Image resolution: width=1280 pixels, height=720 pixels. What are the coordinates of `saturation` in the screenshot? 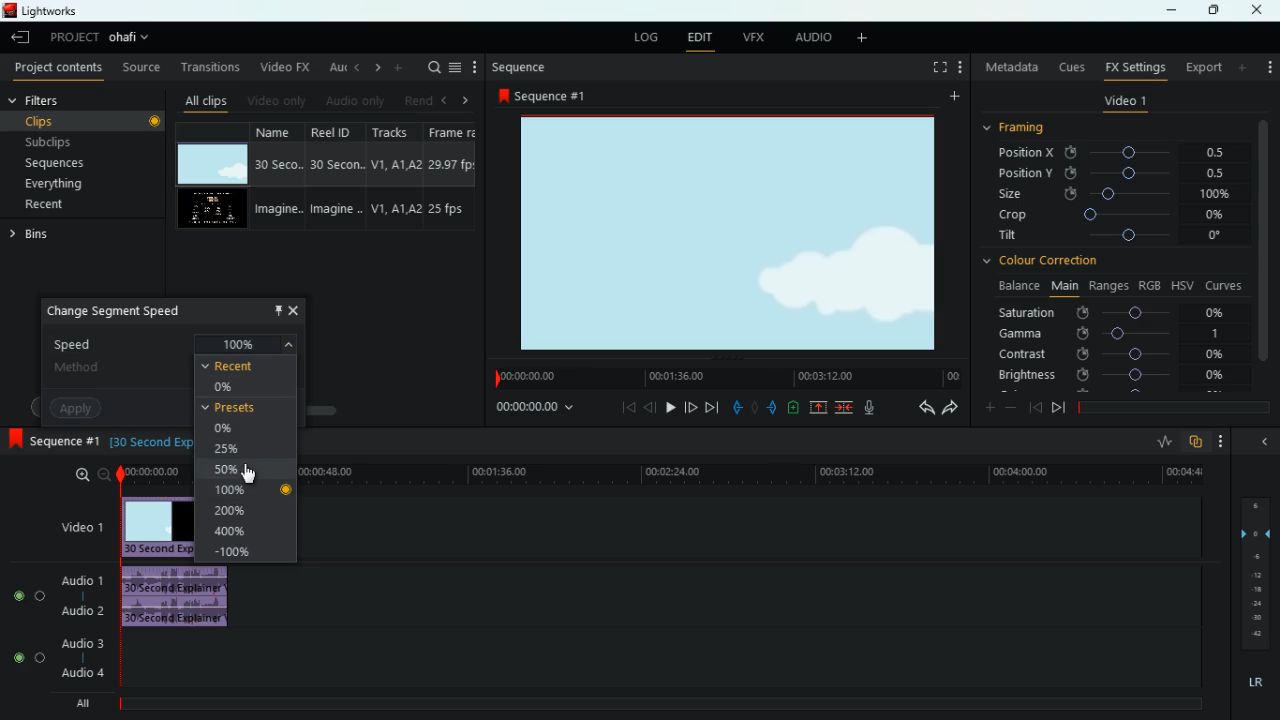 It's located at (1116, 311).